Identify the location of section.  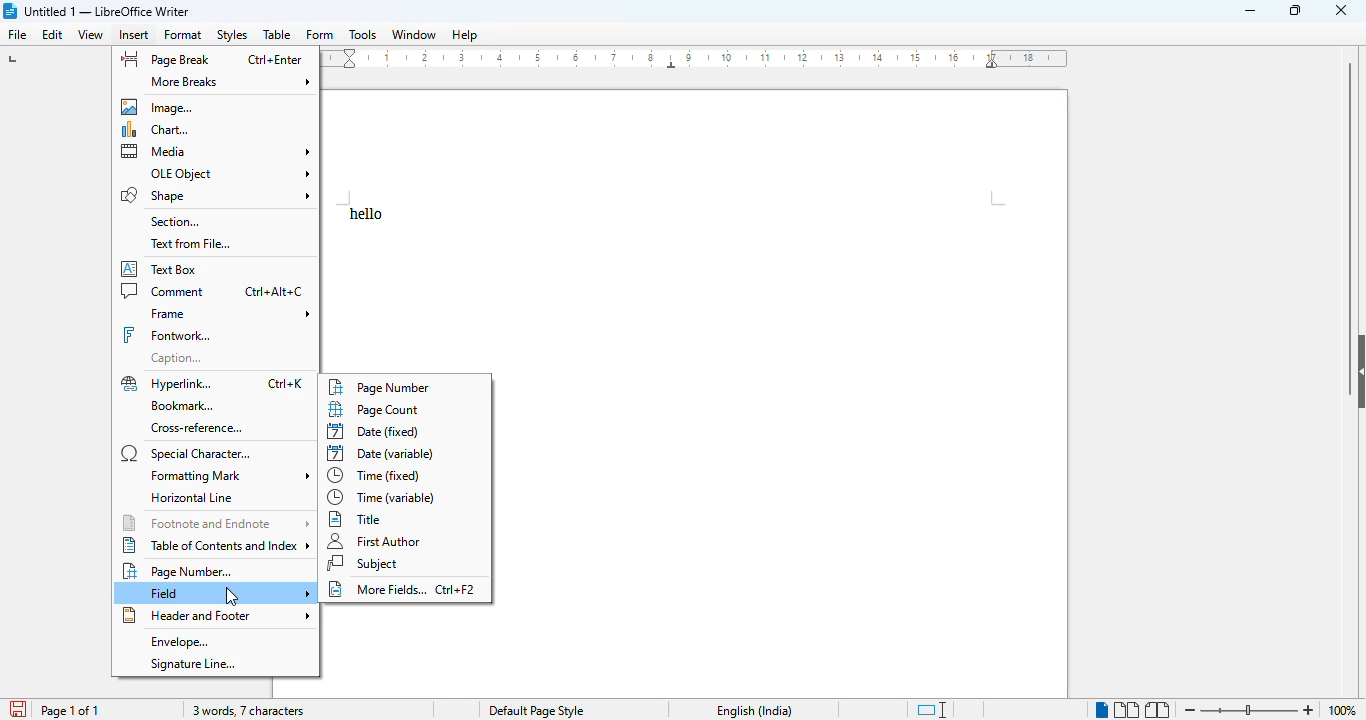
(175, 222).